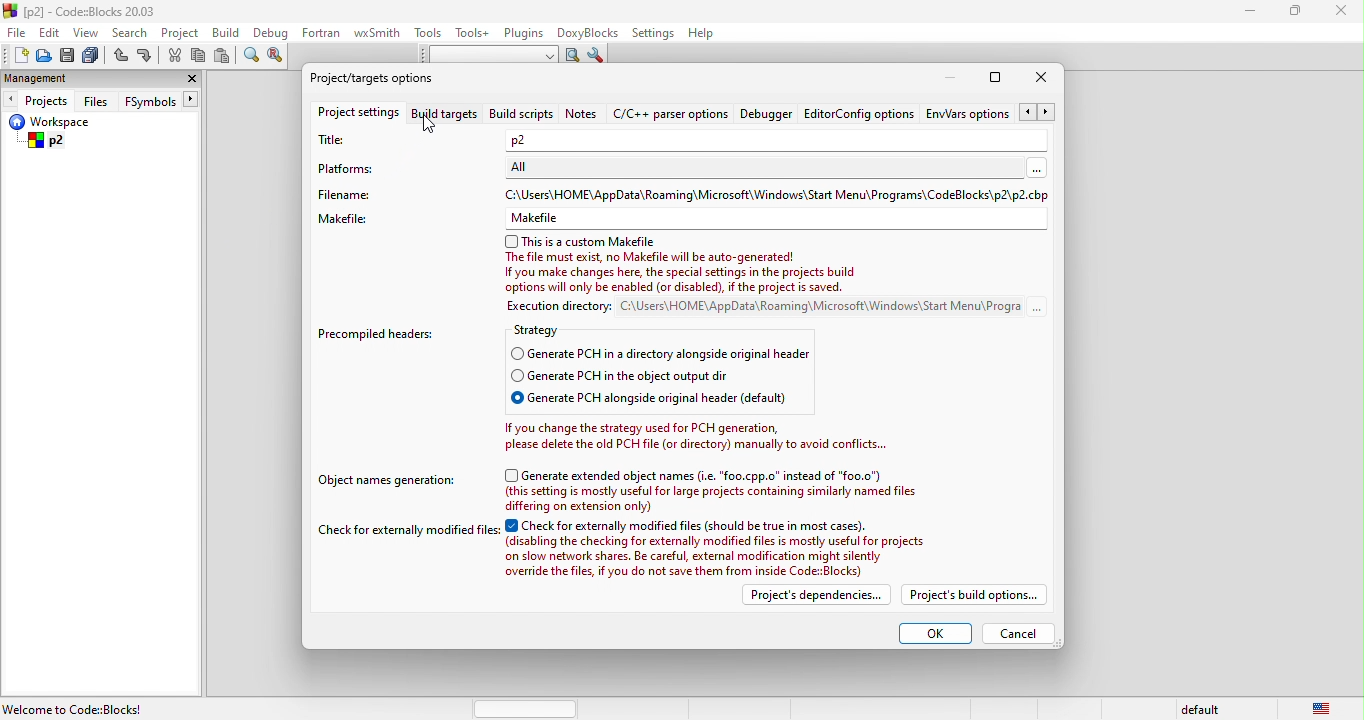  I want to click on copy, so click(200, 58).